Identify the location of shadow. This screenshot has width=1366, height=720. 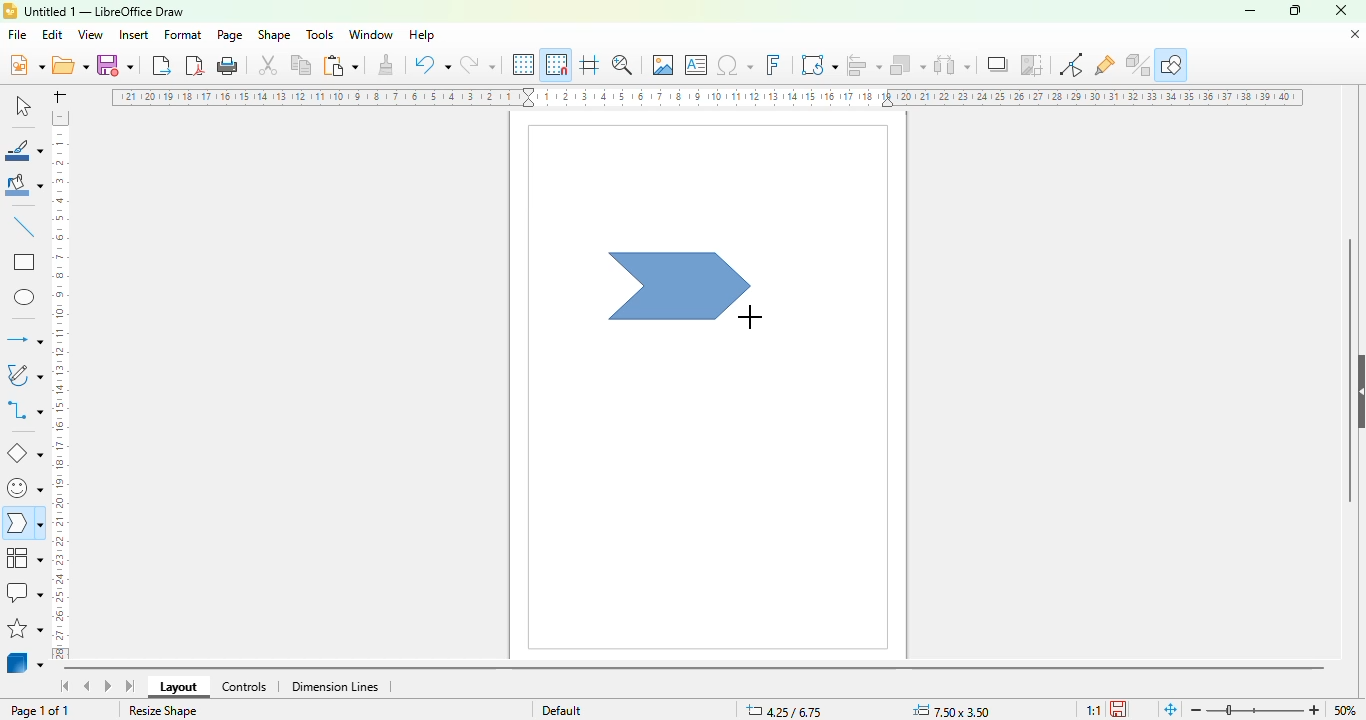
(997, 64).